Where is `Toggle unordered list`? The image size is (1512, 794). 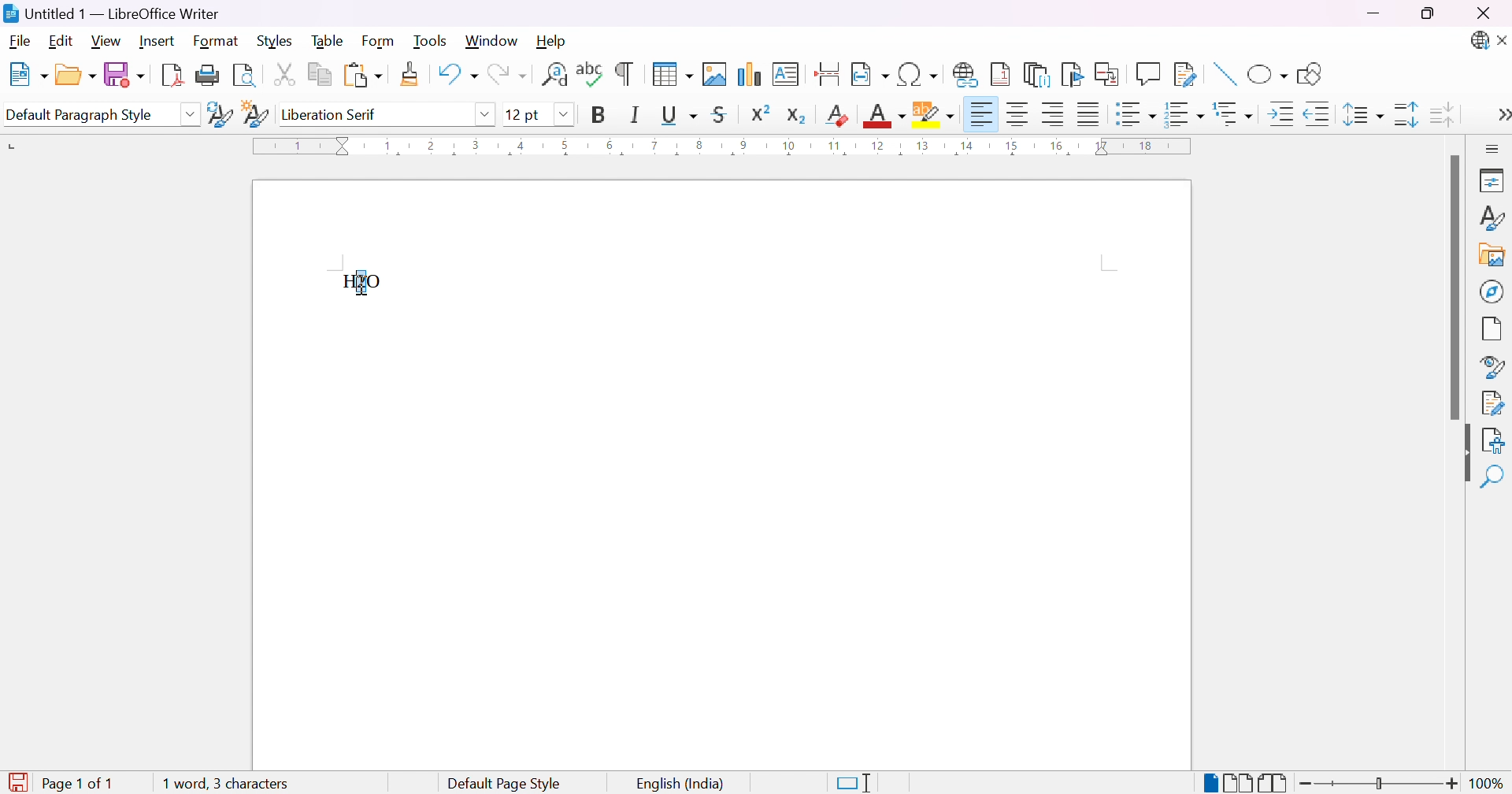
Toggle unordered list is located at coordinates (1137, 117).